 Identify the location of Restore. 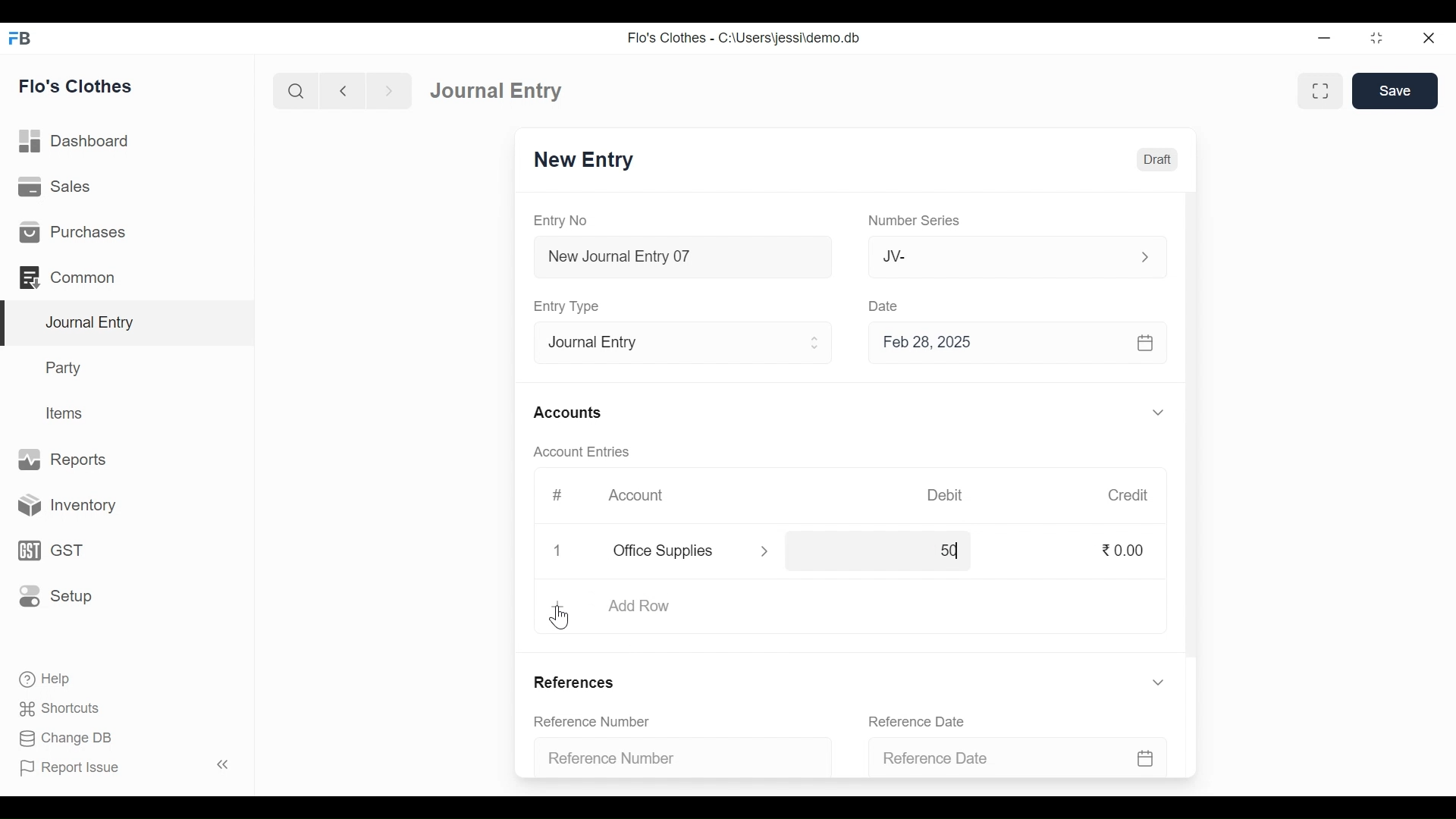
(1376, 38).